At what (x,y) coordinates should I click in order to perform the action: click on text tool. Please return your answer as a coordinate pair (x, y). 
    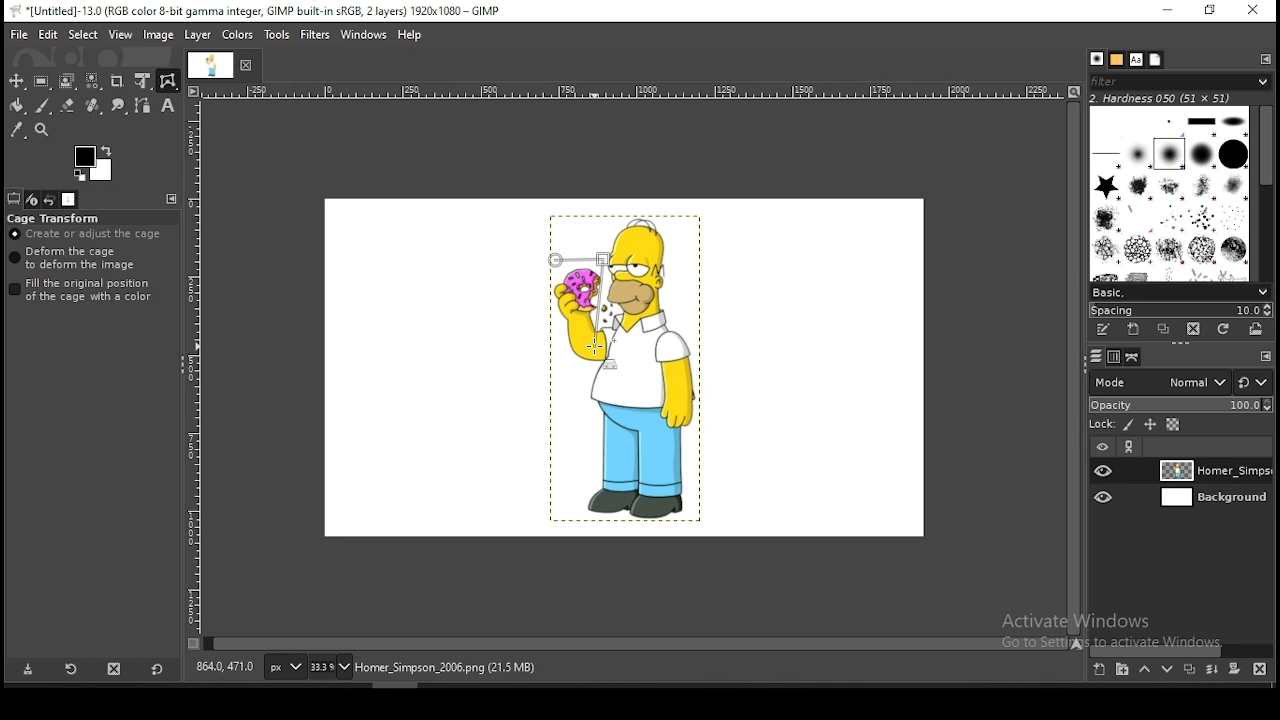
    Looking at the image, I should click on (167, 106).